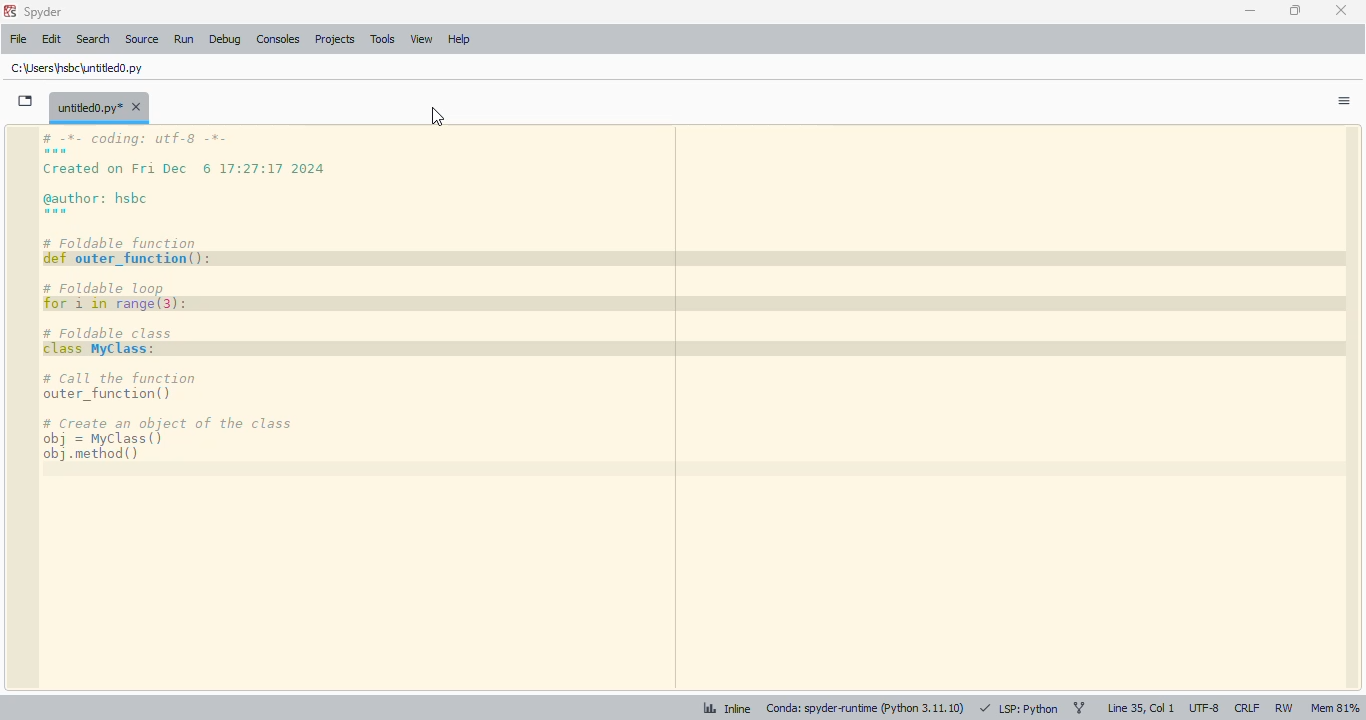 The height and width of the screenshot is (720, 1366). What do you see at coordinates (1205, 710) in the screenshot?
I see `UTF-8` at bounding box center [1205, 710].